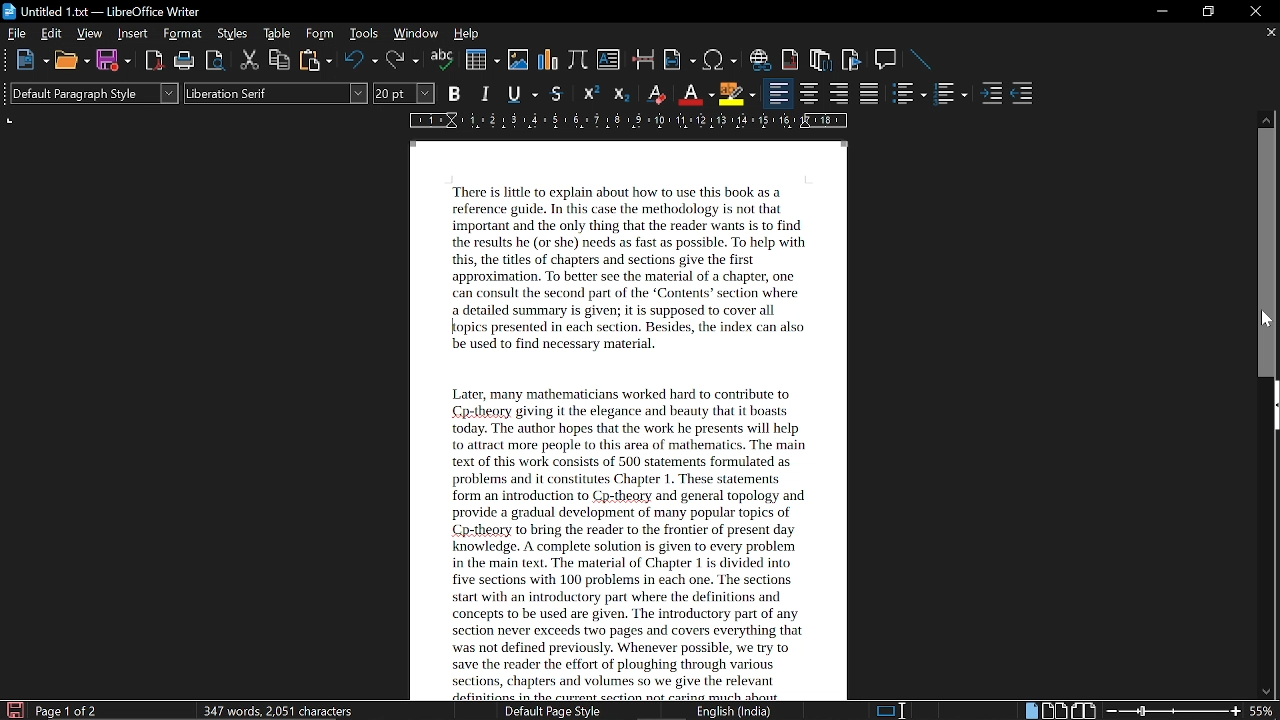 Image resolution: width=1280 pixels, height=720 pixels. I want to click on open, so click(71, 61).